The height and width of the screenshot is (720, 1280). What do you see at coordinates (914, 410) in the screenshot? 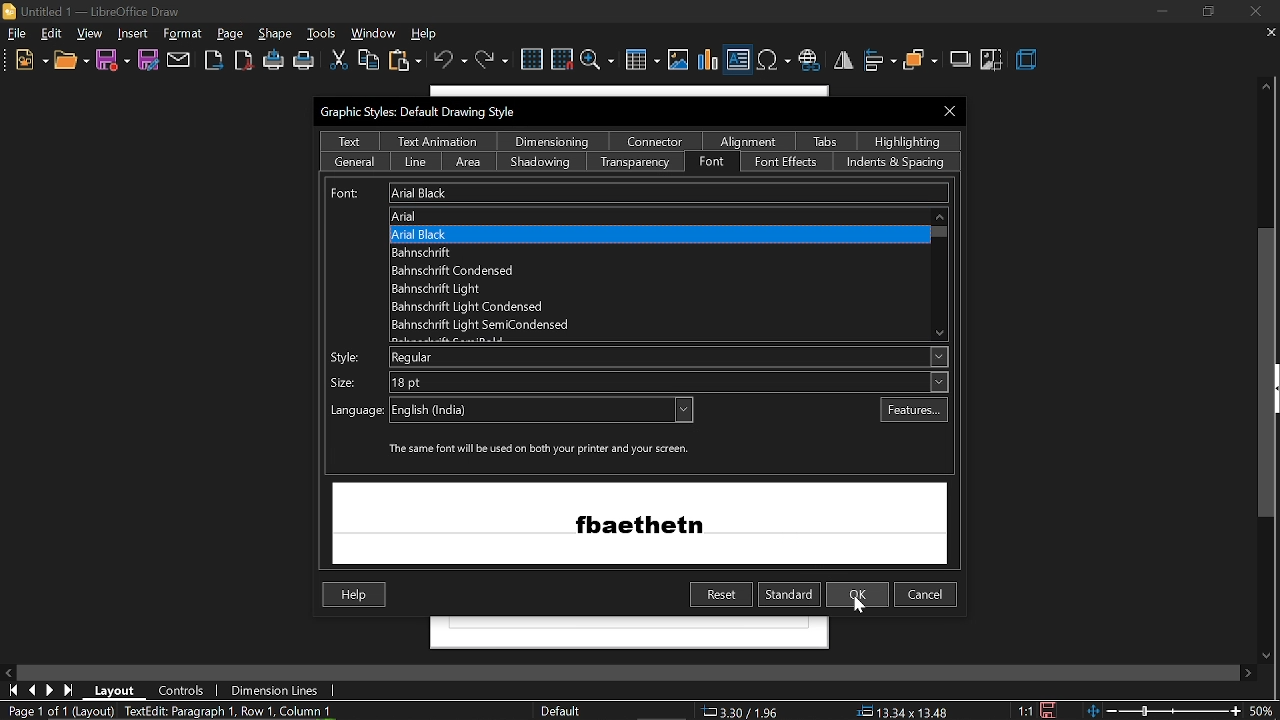
I see `features` at bounding box center [914, 410].